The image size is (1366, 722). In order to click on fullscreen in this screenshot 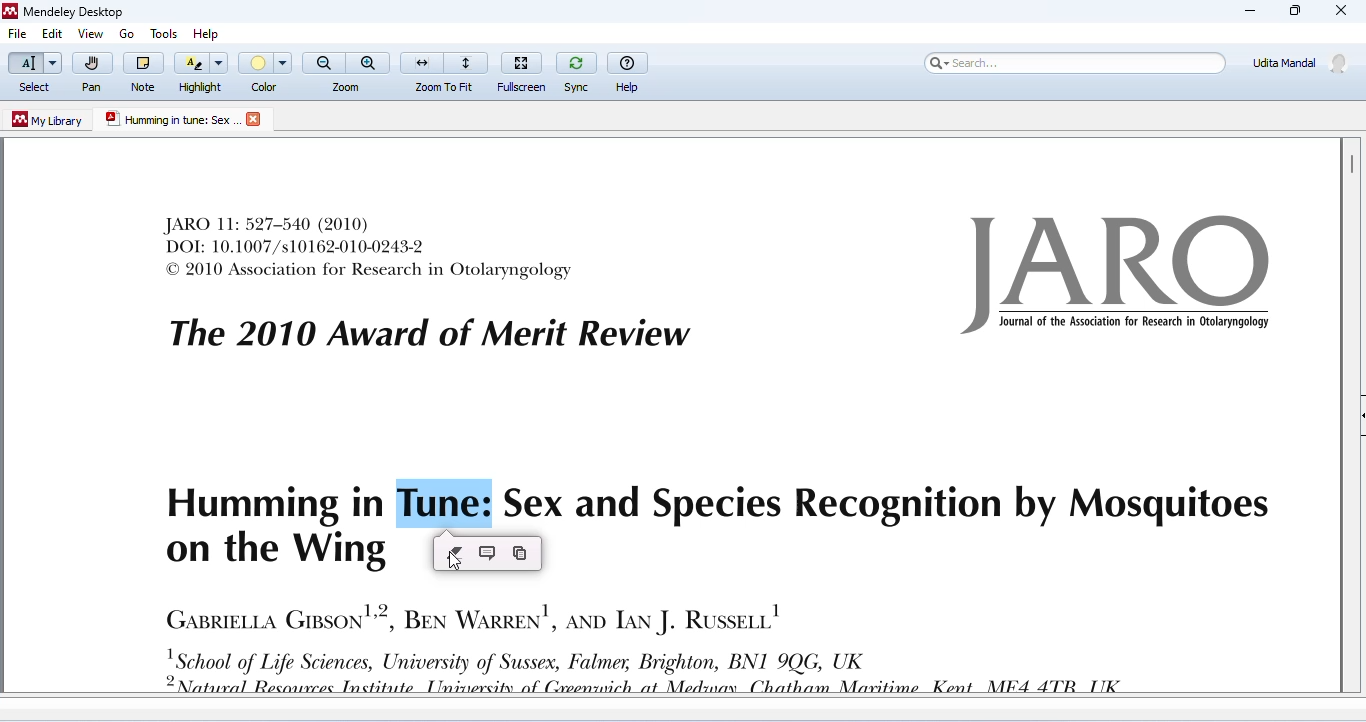, I will do `click(524, 69)`.